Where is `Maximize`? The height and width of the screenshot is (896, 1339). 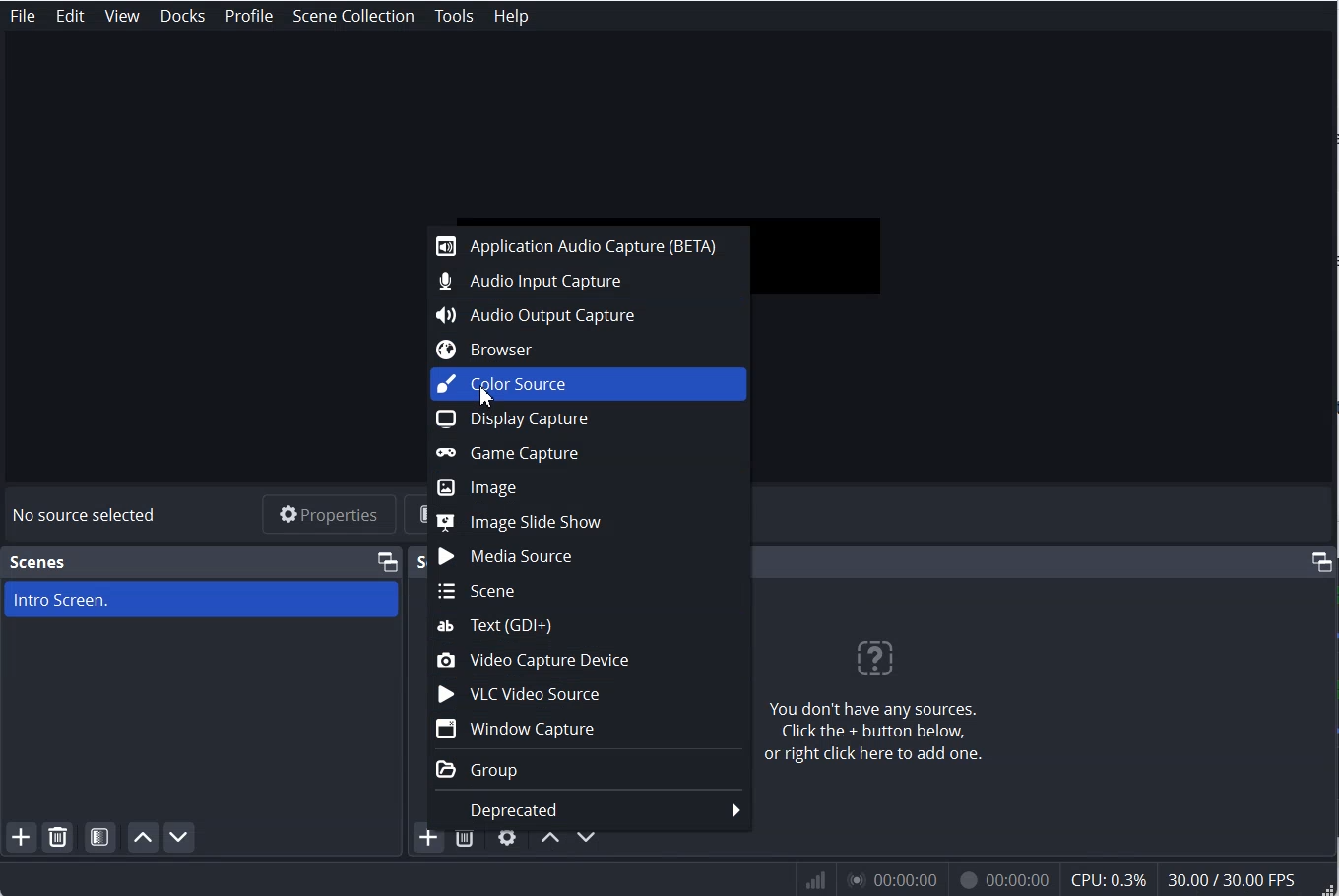
Maximize is located at coordinates (387, 560).